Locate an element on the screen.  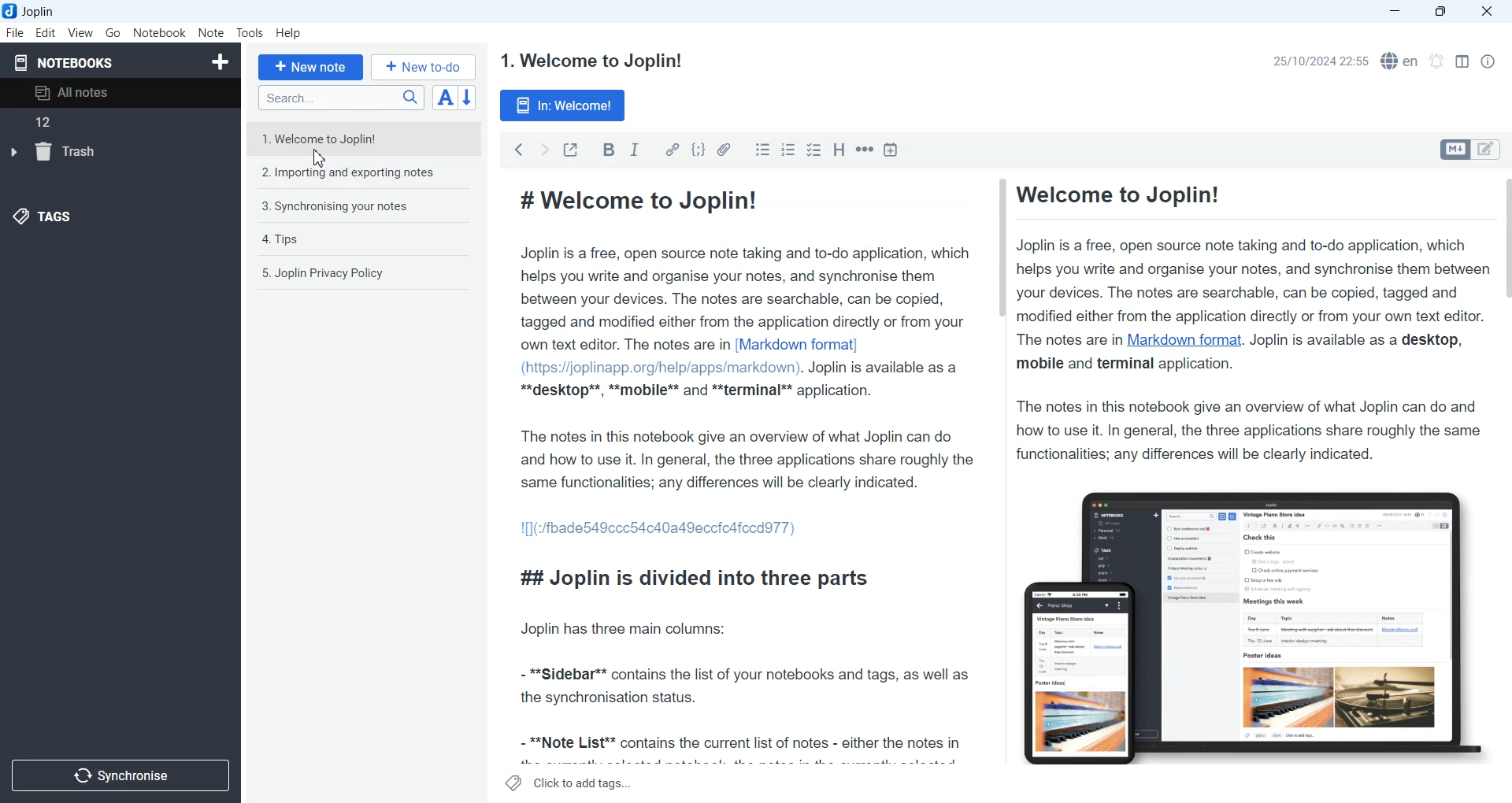
Minimize is located at coordinates (1395, 12).